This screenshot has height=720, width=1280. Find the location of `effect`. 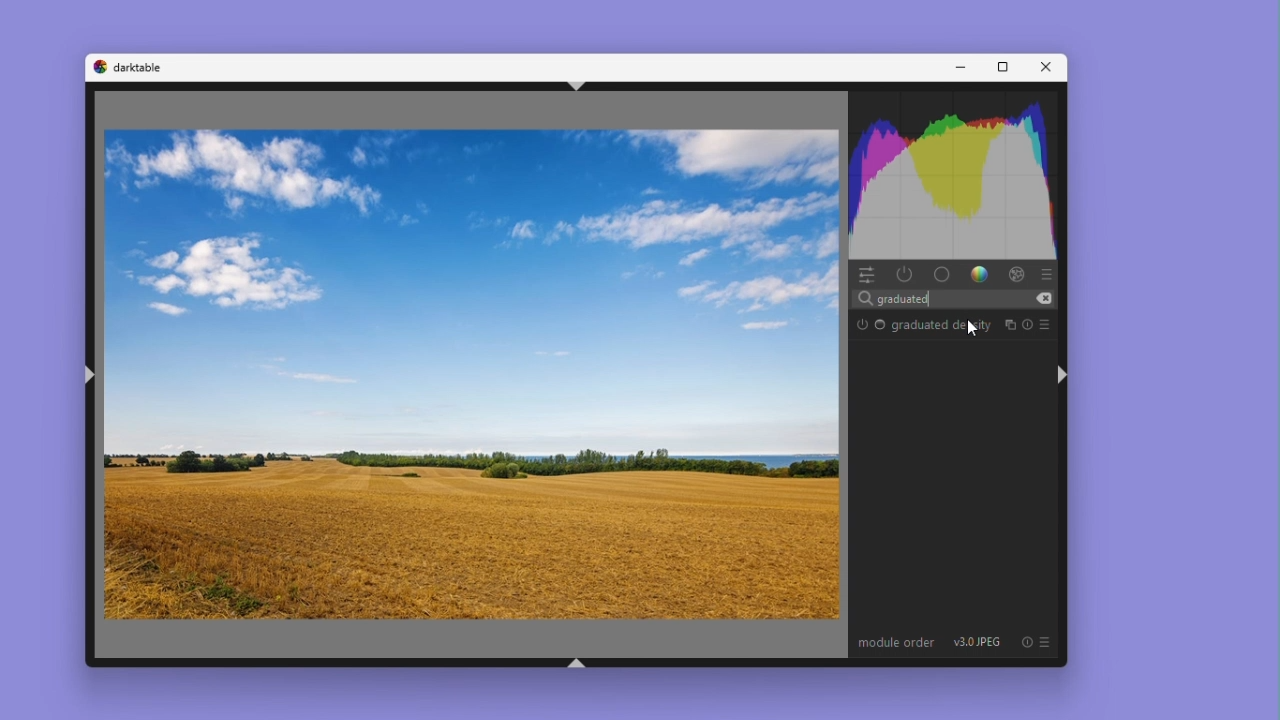

effect is located at coordinates (1016, 273).